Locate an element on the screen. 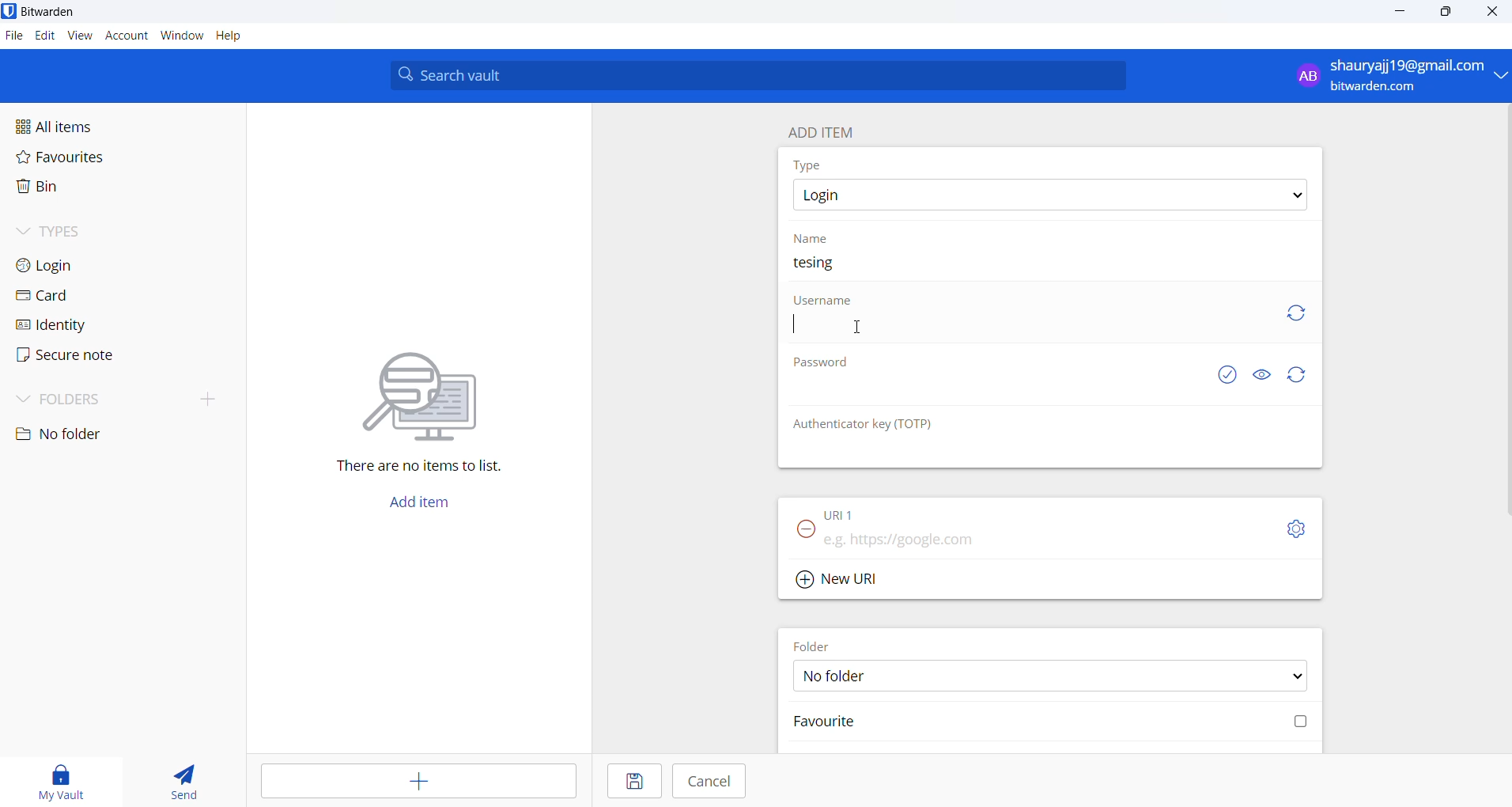 The width and height of the screenshot is (1512, 807). URL input box is located at coordinates (1038, 538).